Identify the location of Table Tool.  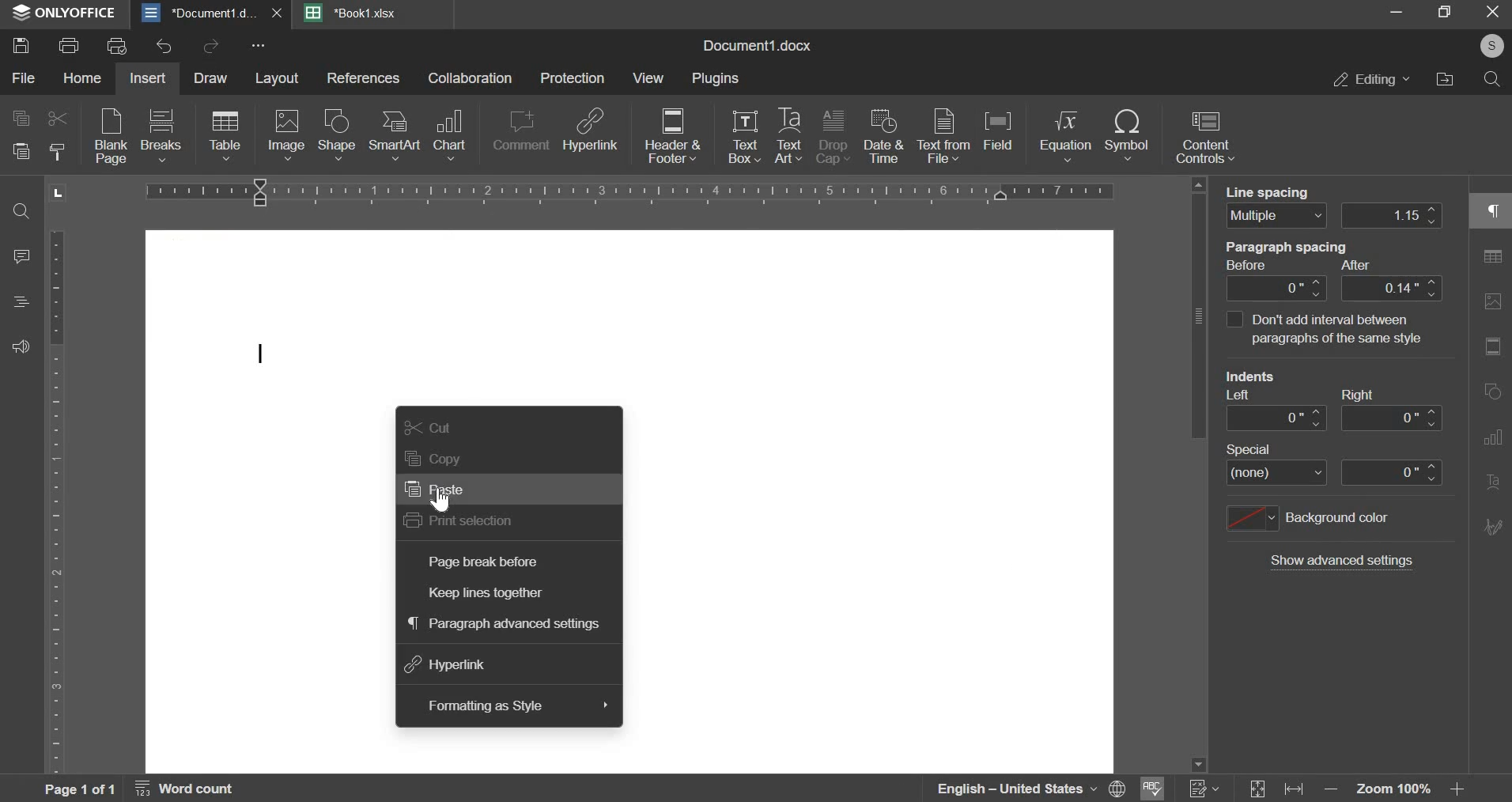
(1492, 210).